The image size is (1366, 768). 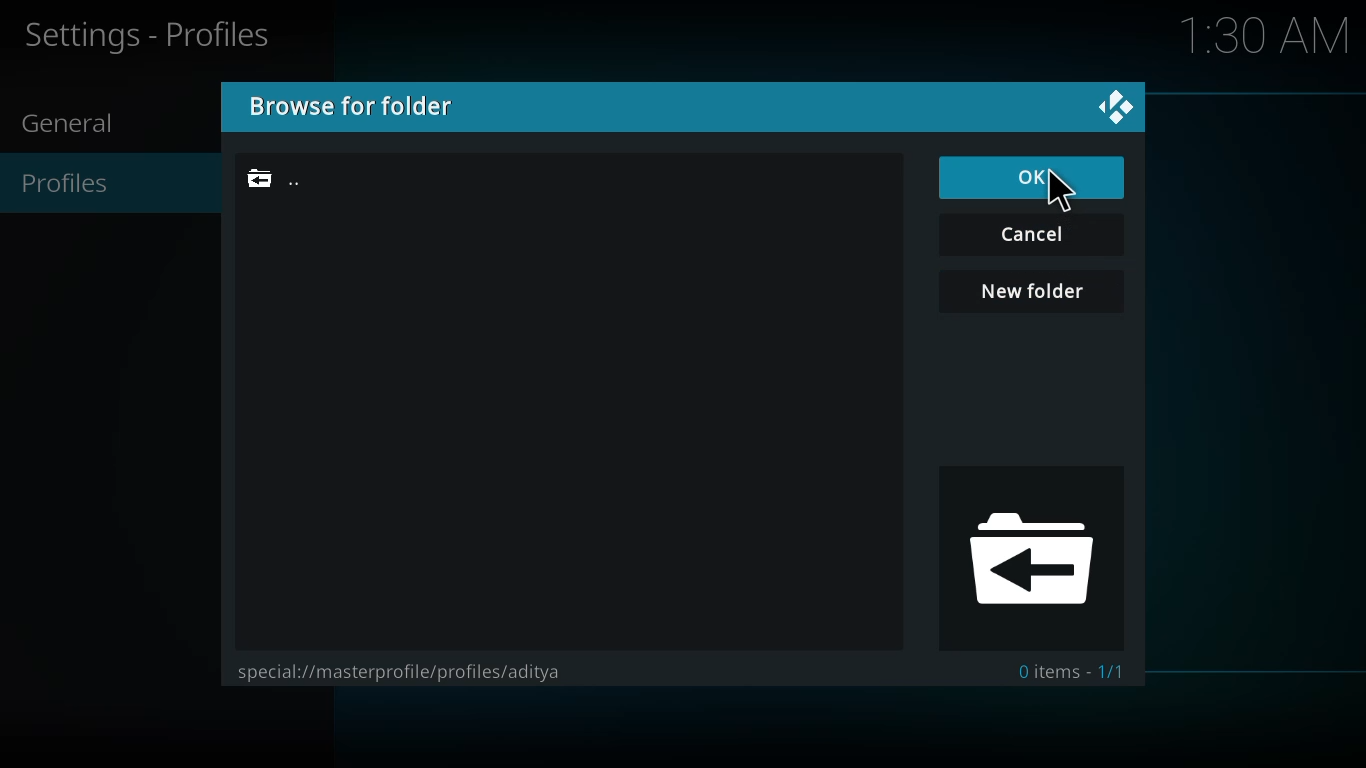 I want to click on close, so click(x=1113, y=107).